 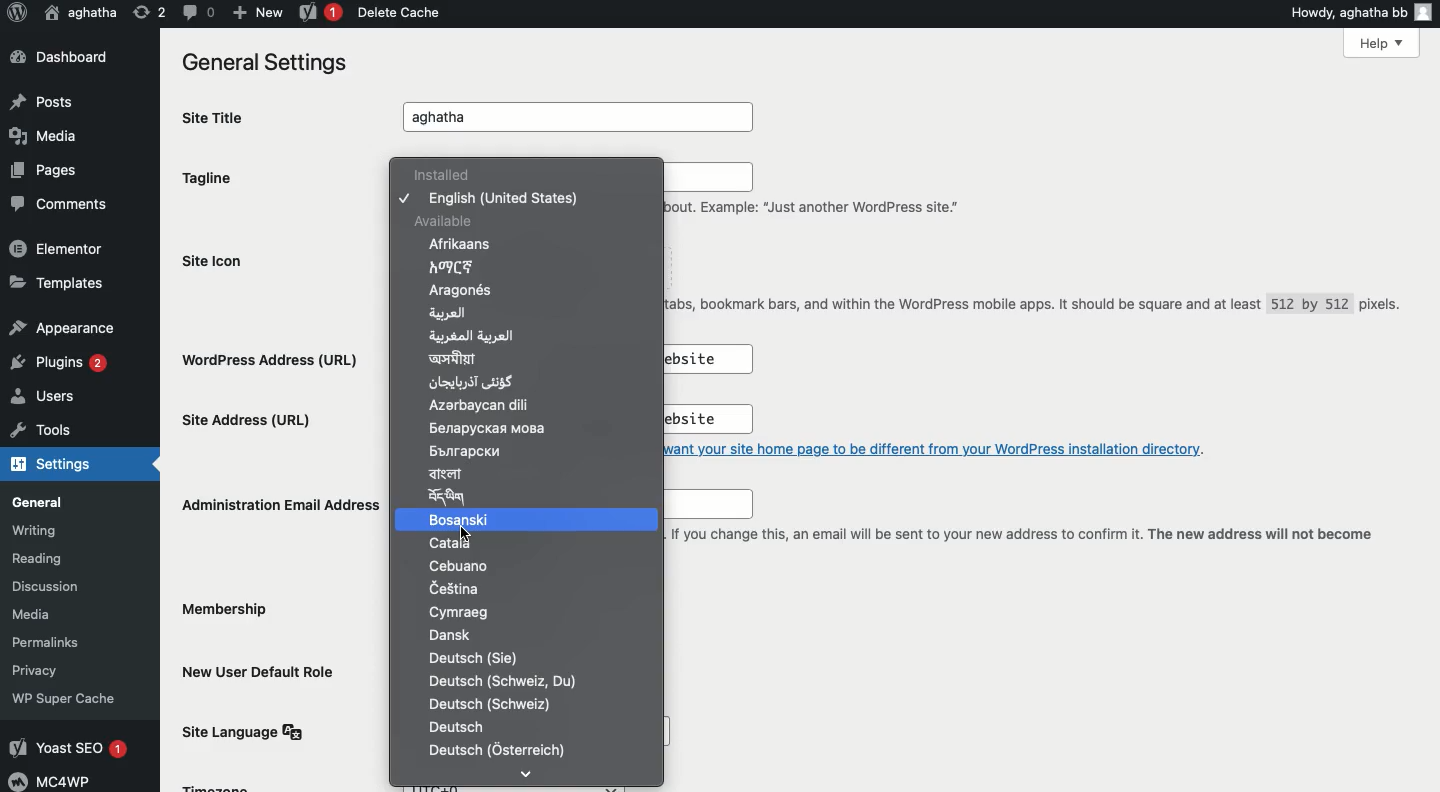 I want to click on Site title, so click(x=220, y=117).